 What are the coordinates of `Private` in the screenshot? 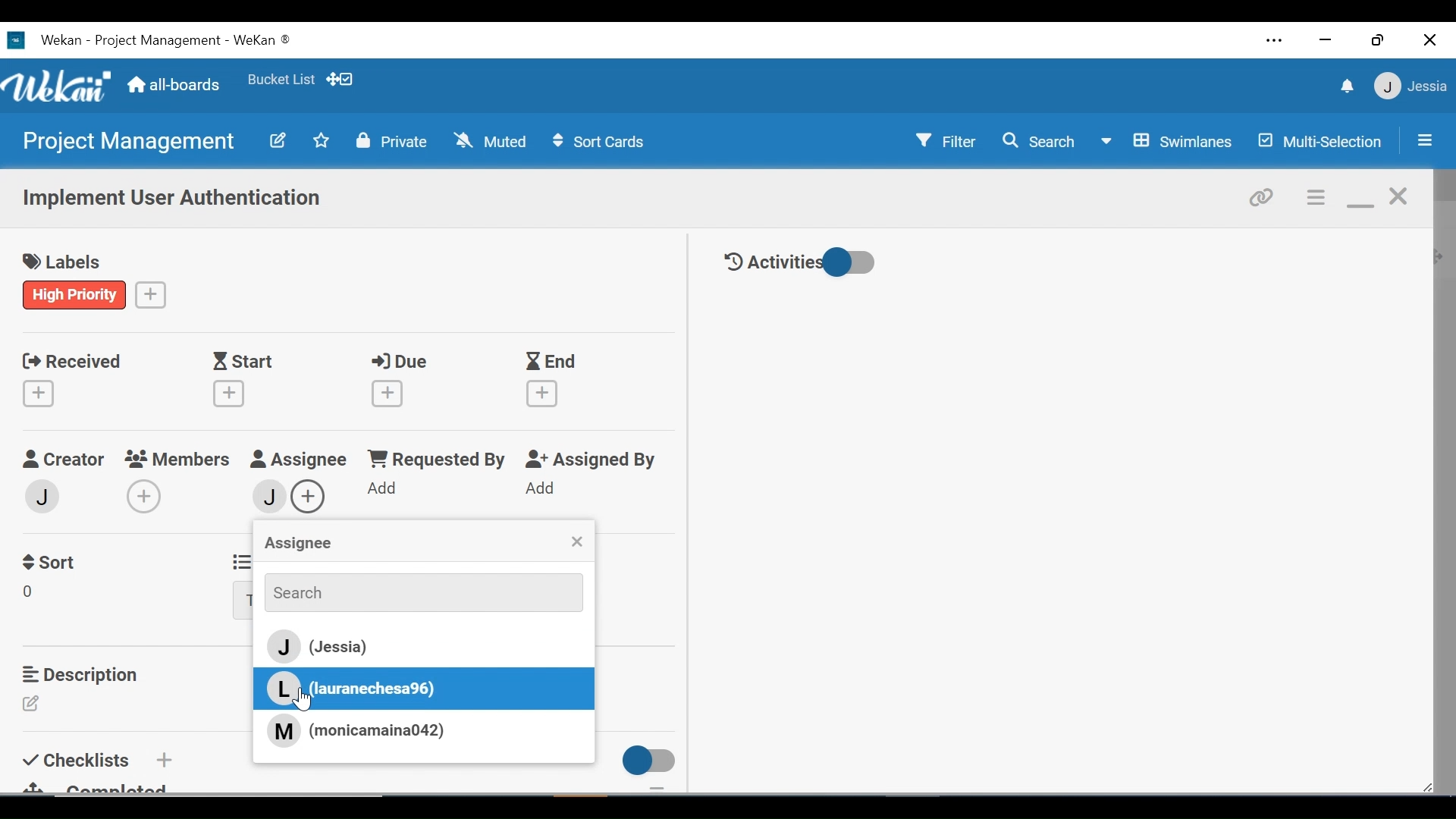 It's located at (392, 140).